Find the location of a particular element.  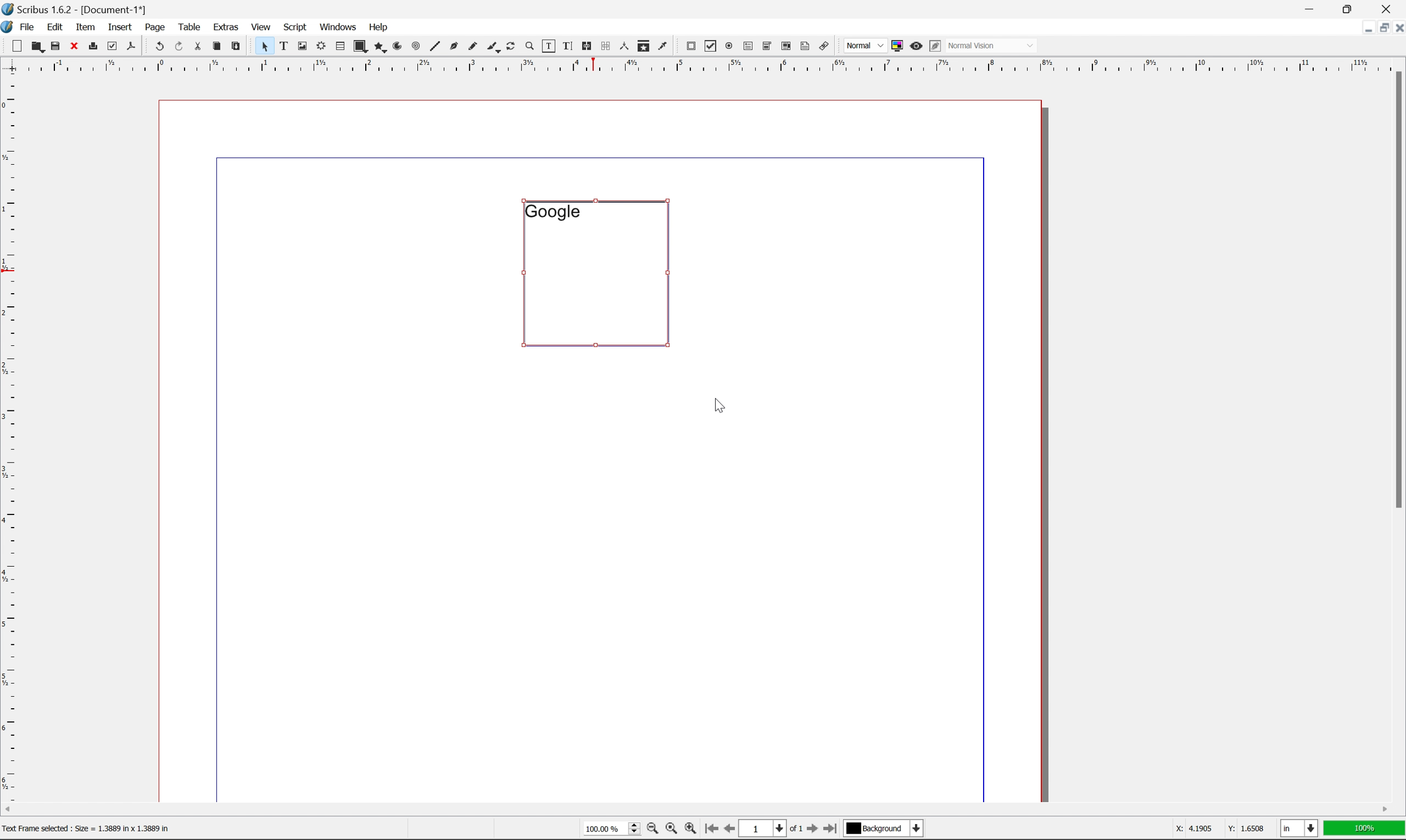

minimize is located at coordinates (1361, 27).